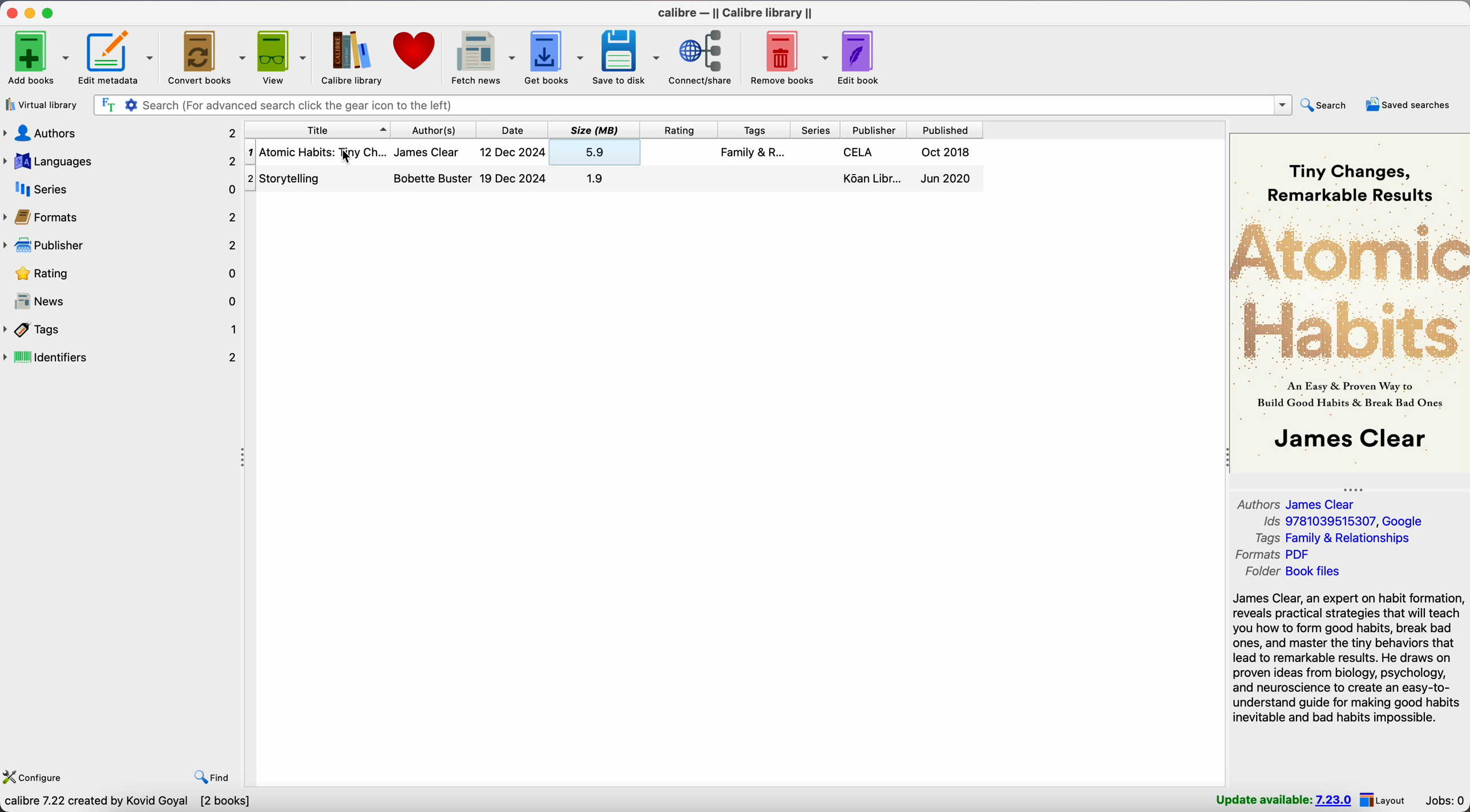 The image size is (1470, 812). I want to click on author(s), so click(434, 130).